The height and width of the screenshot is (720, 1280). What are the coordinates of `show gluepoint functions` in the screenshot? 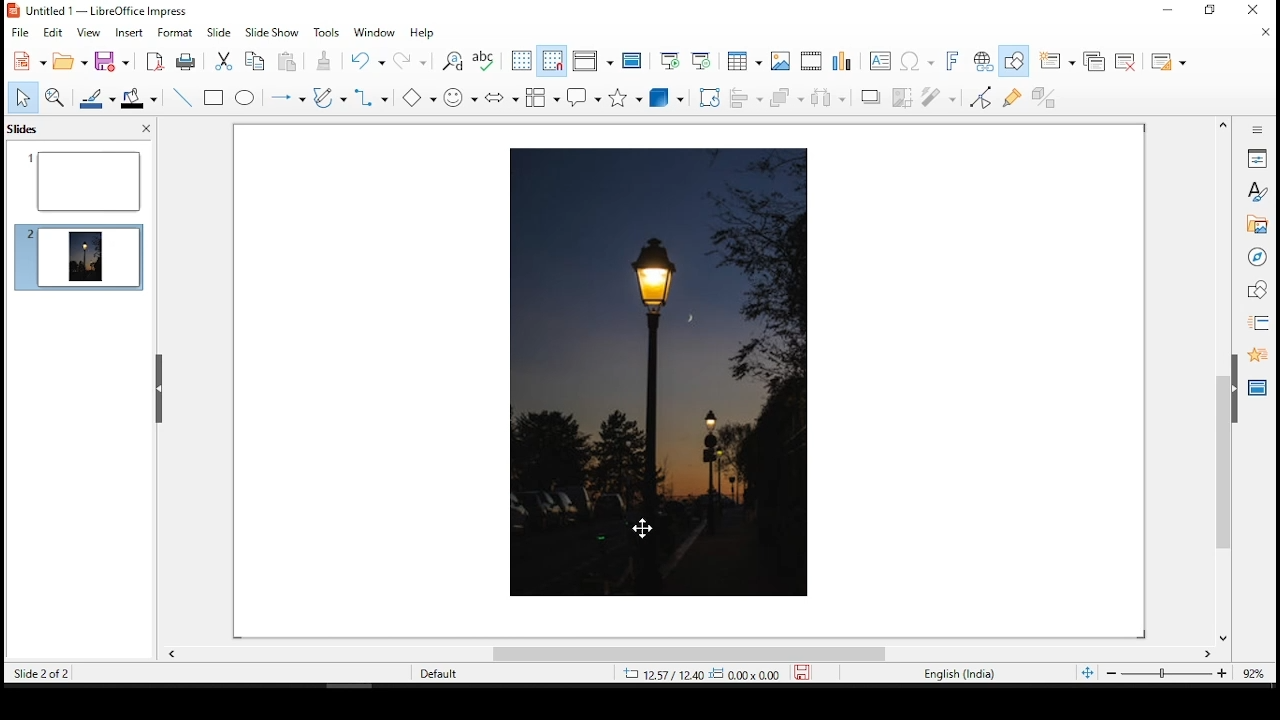 It's located at (1014, 98).